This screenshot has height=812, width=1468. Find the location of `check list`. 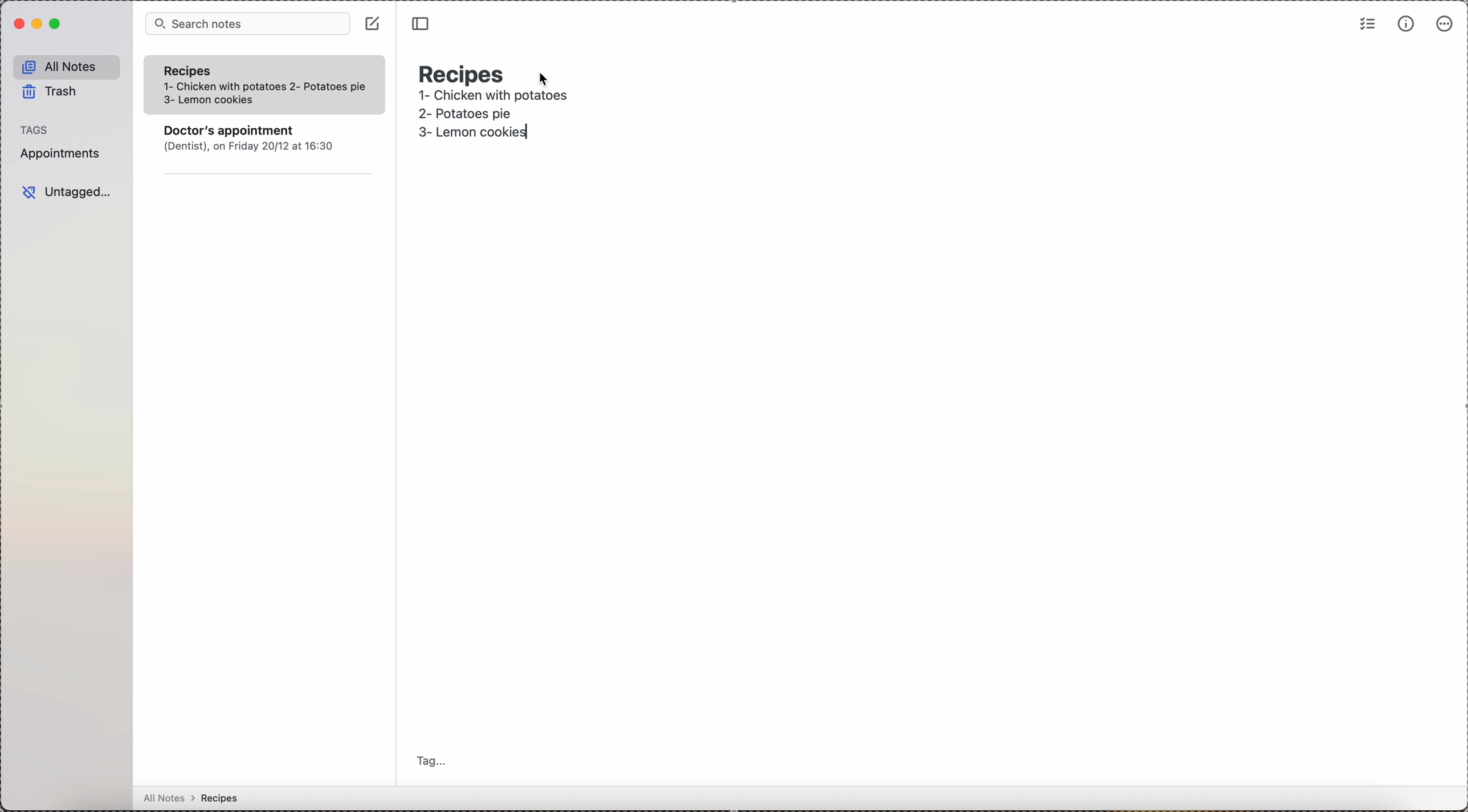

check list is located at coordinates (1366, 25).